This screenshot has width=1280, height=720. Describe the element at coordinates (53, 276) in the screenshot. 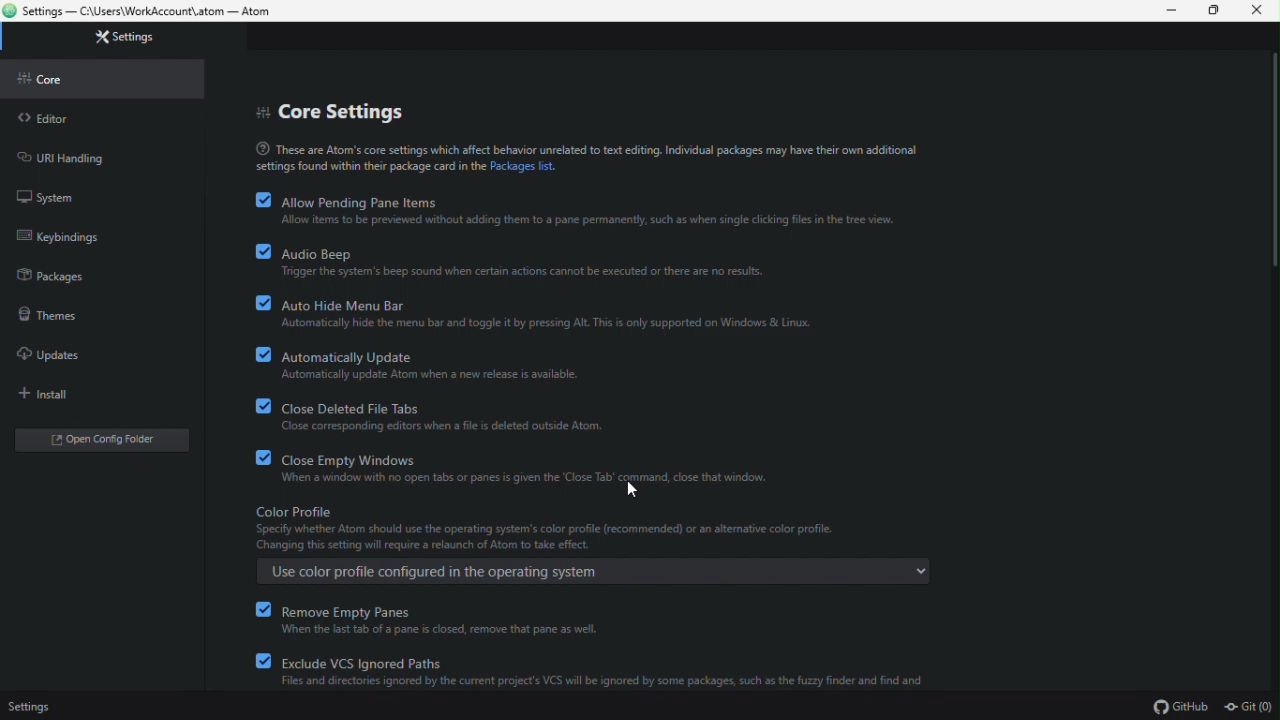

I see `packages` at that location.